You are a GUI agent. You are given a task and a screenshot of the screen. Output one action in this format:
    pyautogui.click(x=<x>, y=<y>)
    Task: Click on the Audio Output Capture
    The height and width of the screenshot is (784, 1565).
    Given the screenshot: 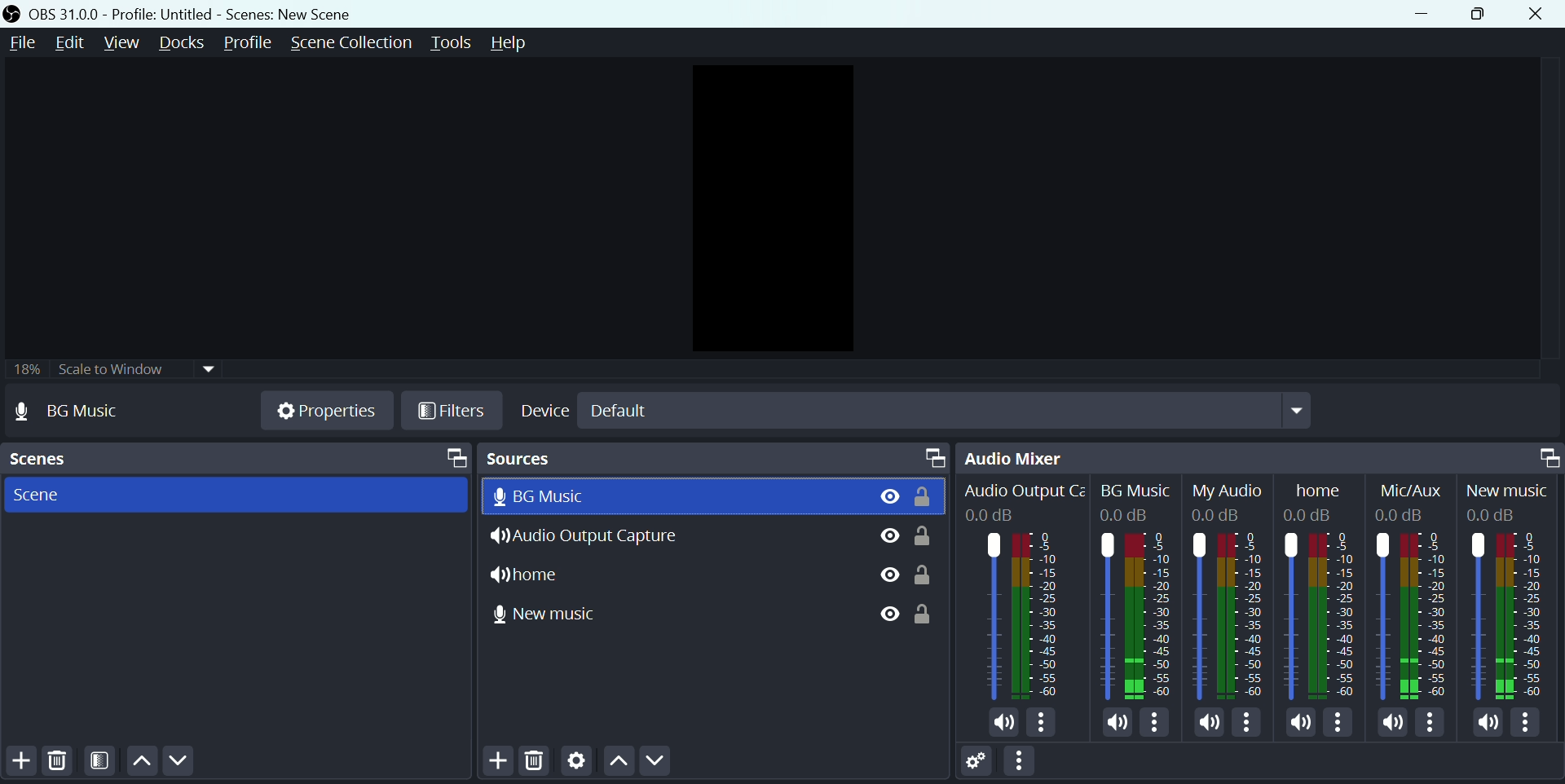 What is the action you would take?
    pyautogui.click(x=590, y=534)
    